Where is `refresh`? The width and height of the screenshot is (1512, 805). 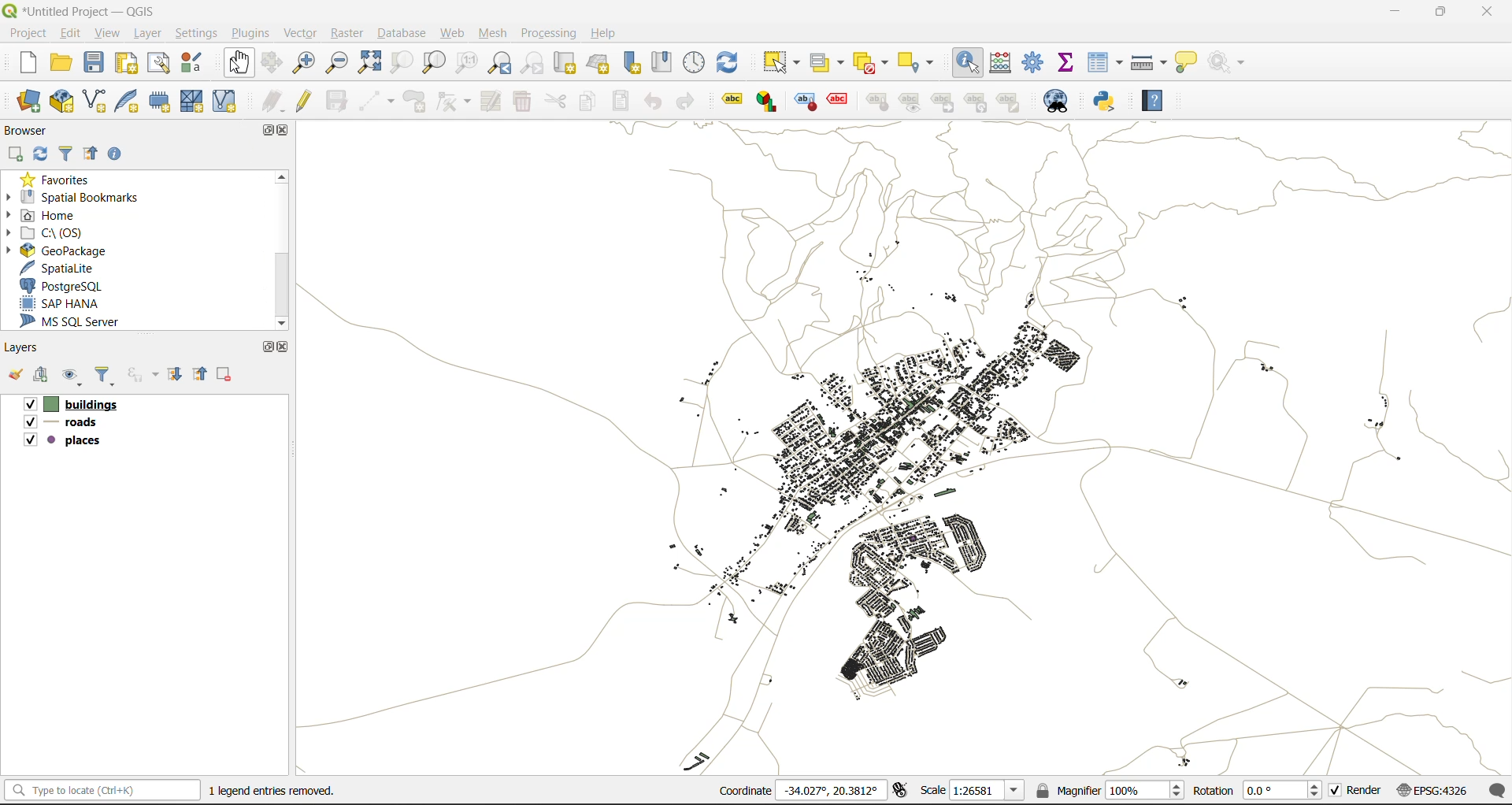 refresh is located at coordinates (728, 60).